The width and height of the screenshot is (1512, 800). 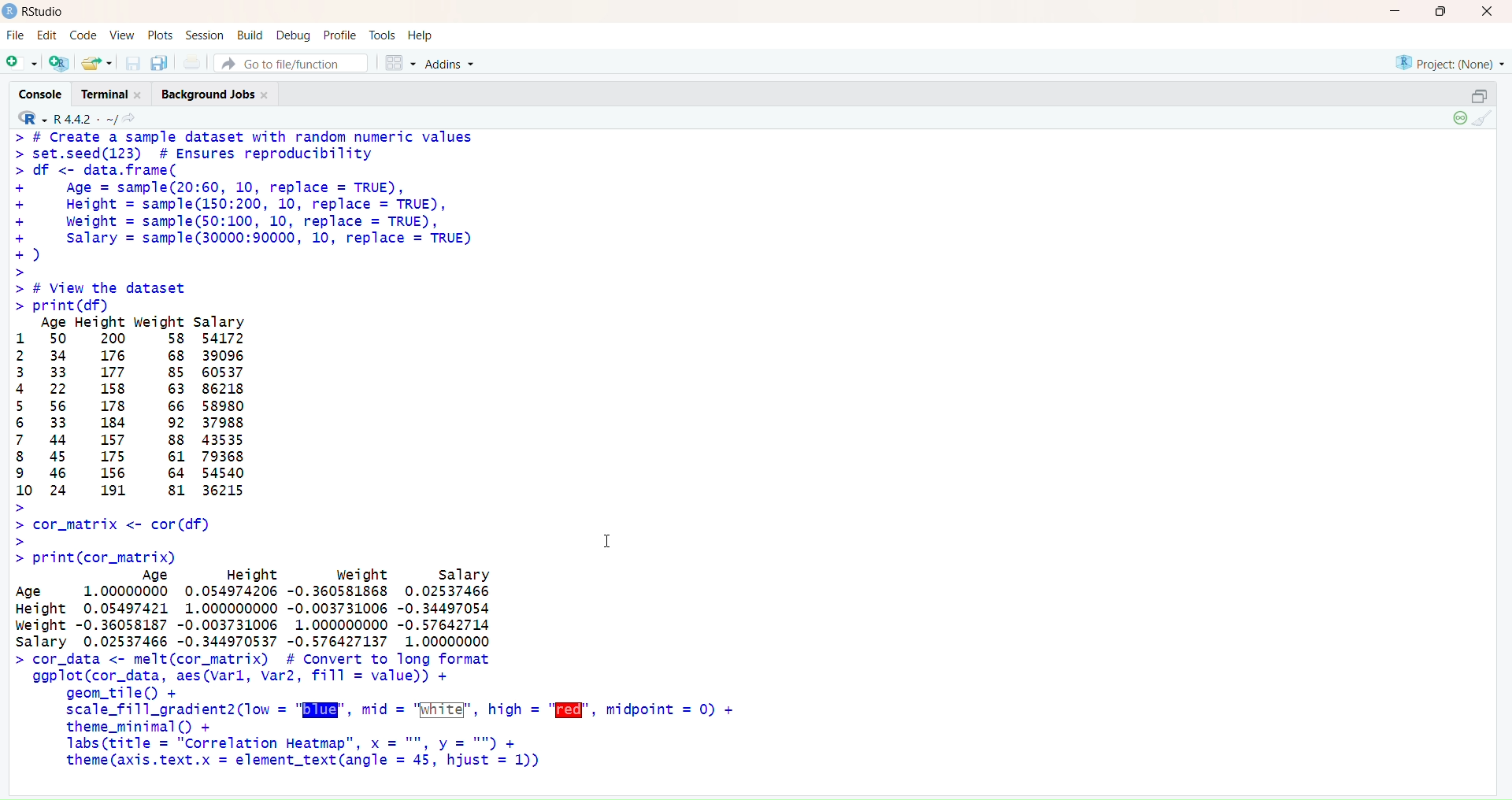 What do you see at coordinates (1485, 13) in the screenshot?
I see `Close` at bounding box center [1485, 13].